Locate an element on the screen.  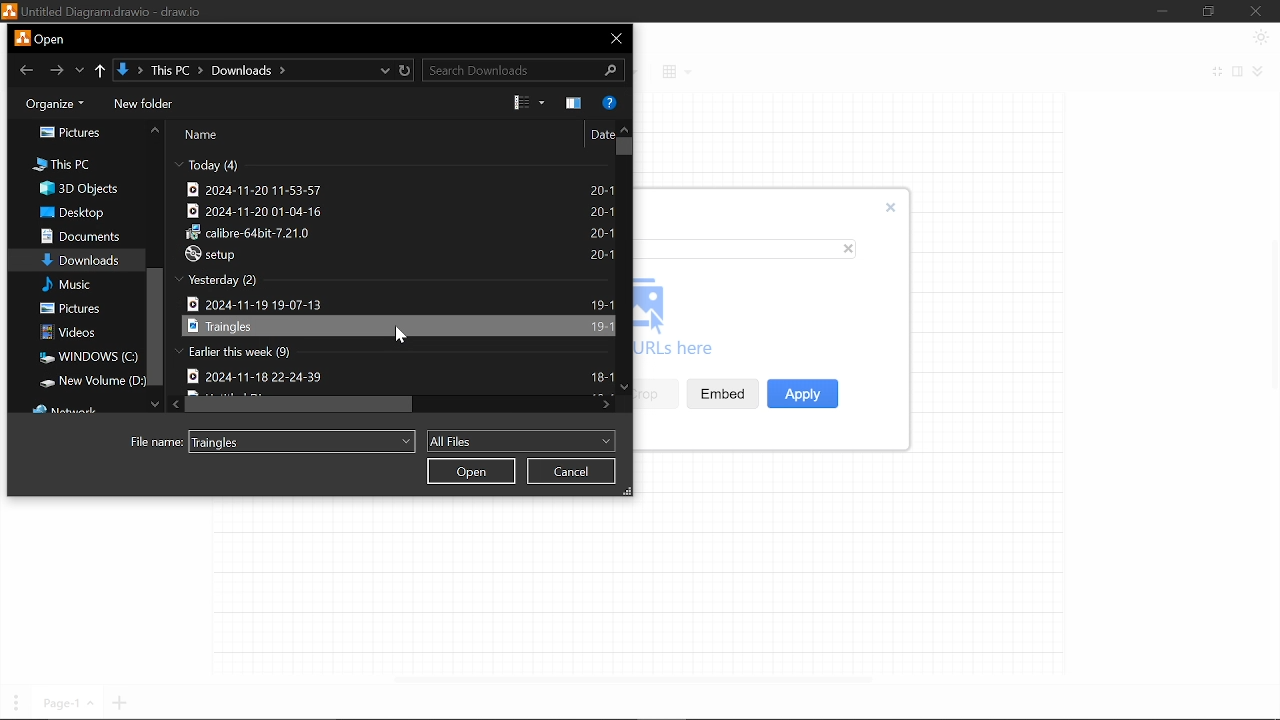
Appearence is located at coordinates (1262, 37).